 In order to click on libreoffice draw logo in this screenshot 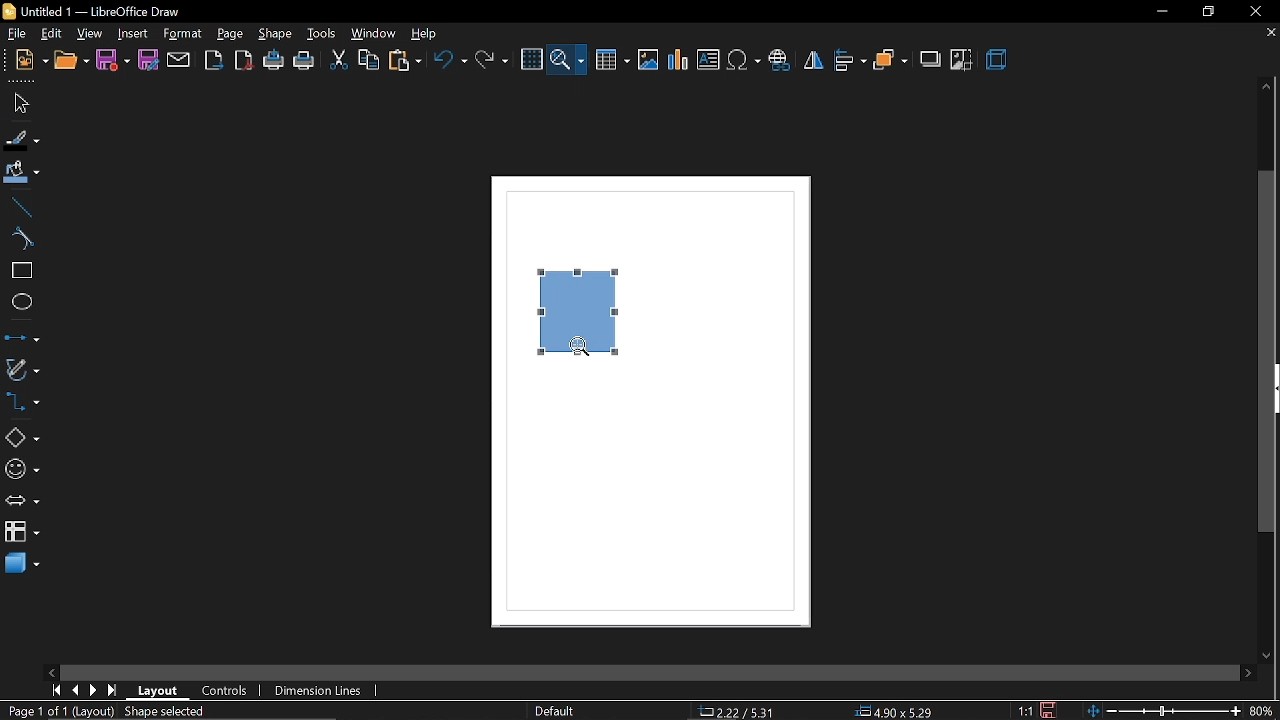, I will do `click(11, 13)`.